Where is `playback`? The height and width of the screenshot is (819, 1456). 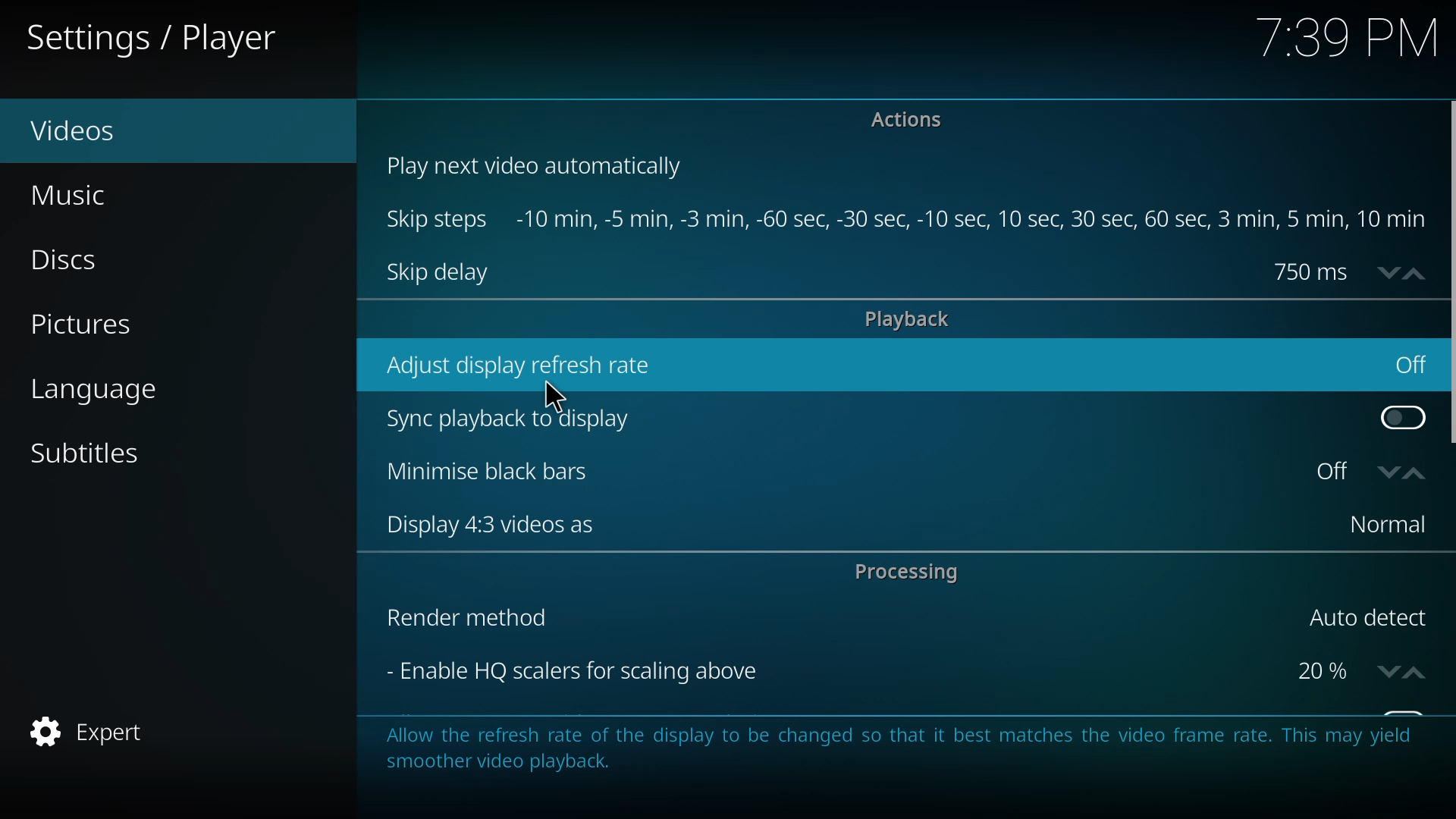 playback is located at coordinates (911, 318).